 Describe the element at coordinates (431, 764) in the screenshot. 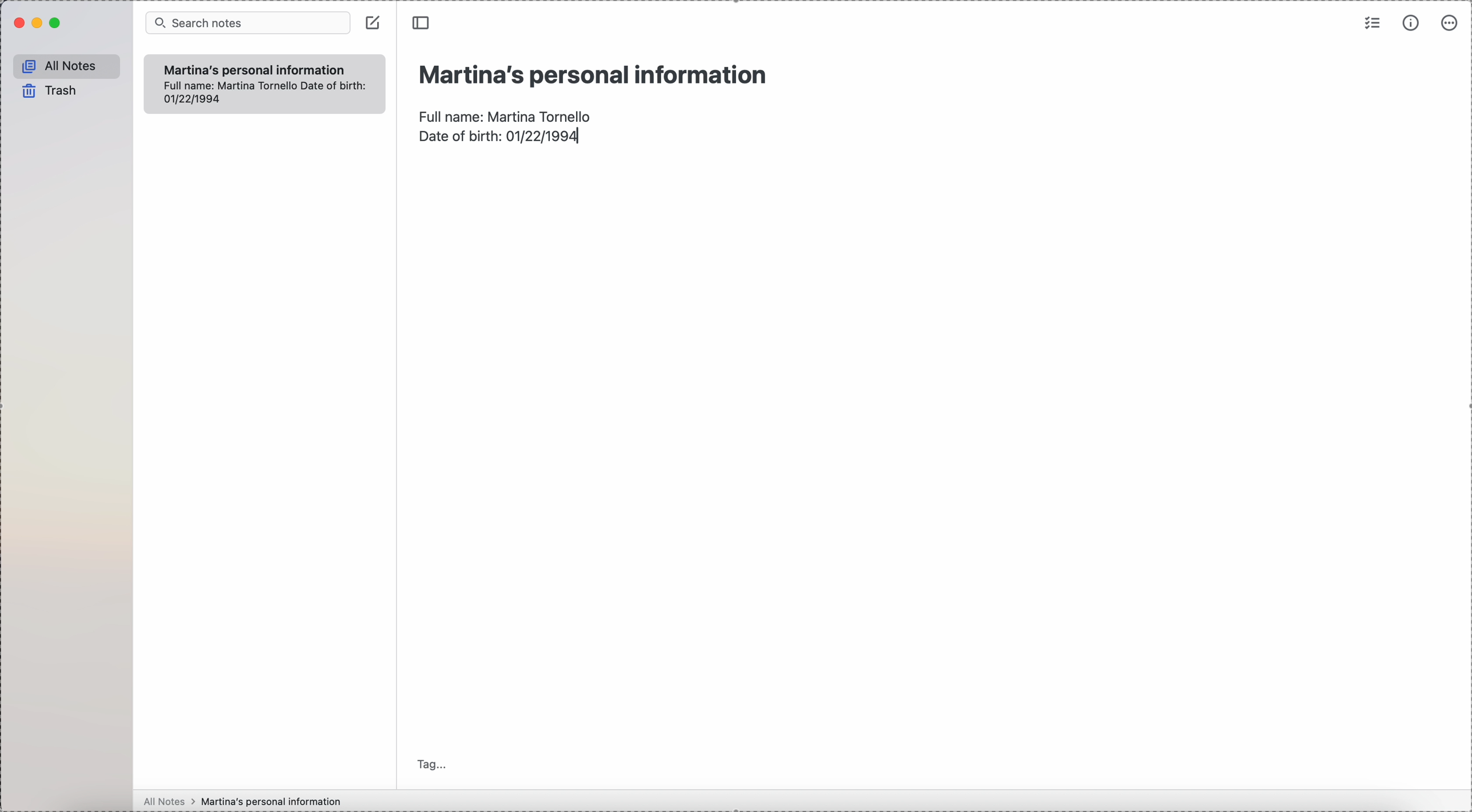

I see `tag` at that location.